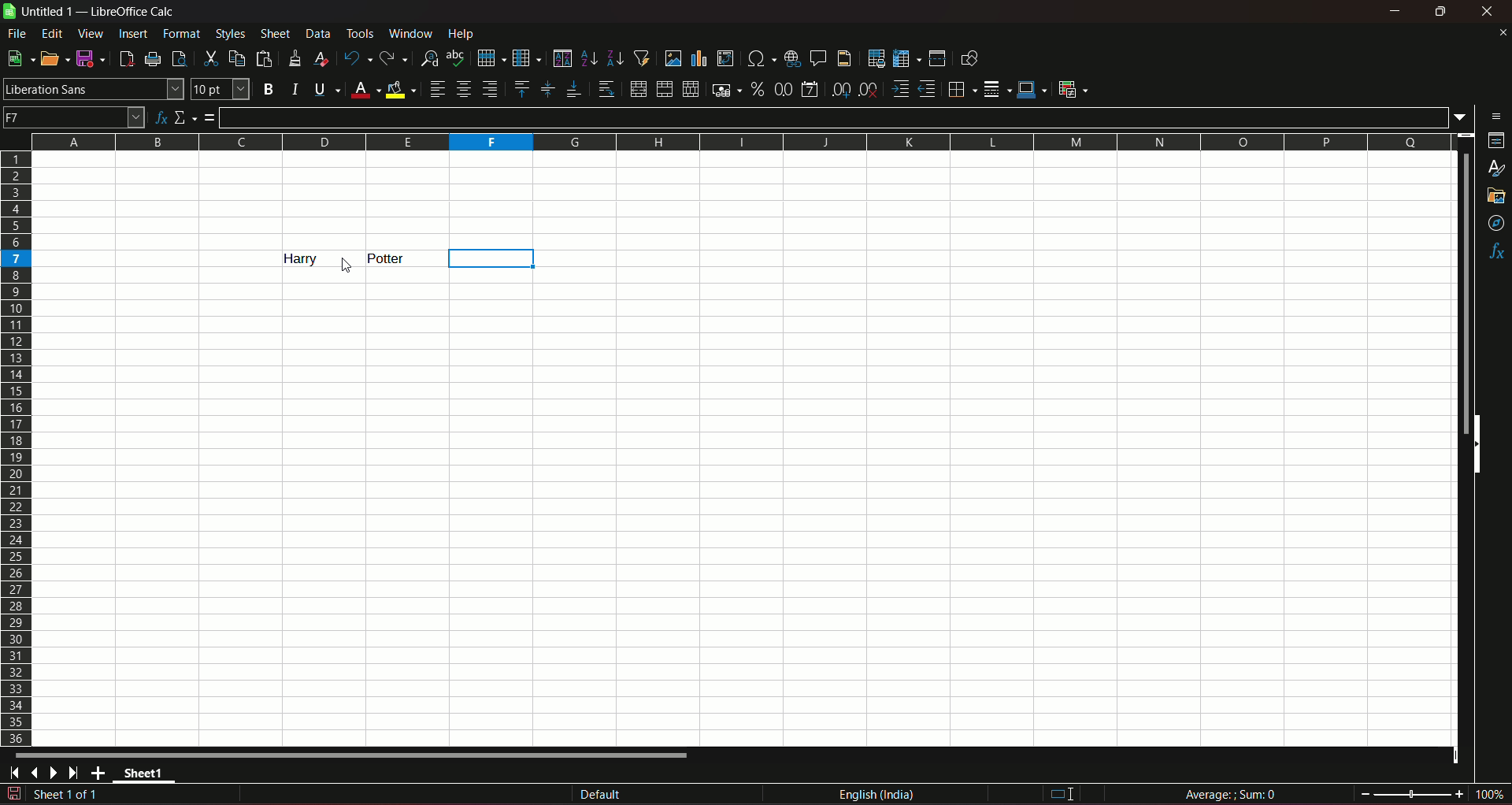  I want to click on file, so click(18, 33).